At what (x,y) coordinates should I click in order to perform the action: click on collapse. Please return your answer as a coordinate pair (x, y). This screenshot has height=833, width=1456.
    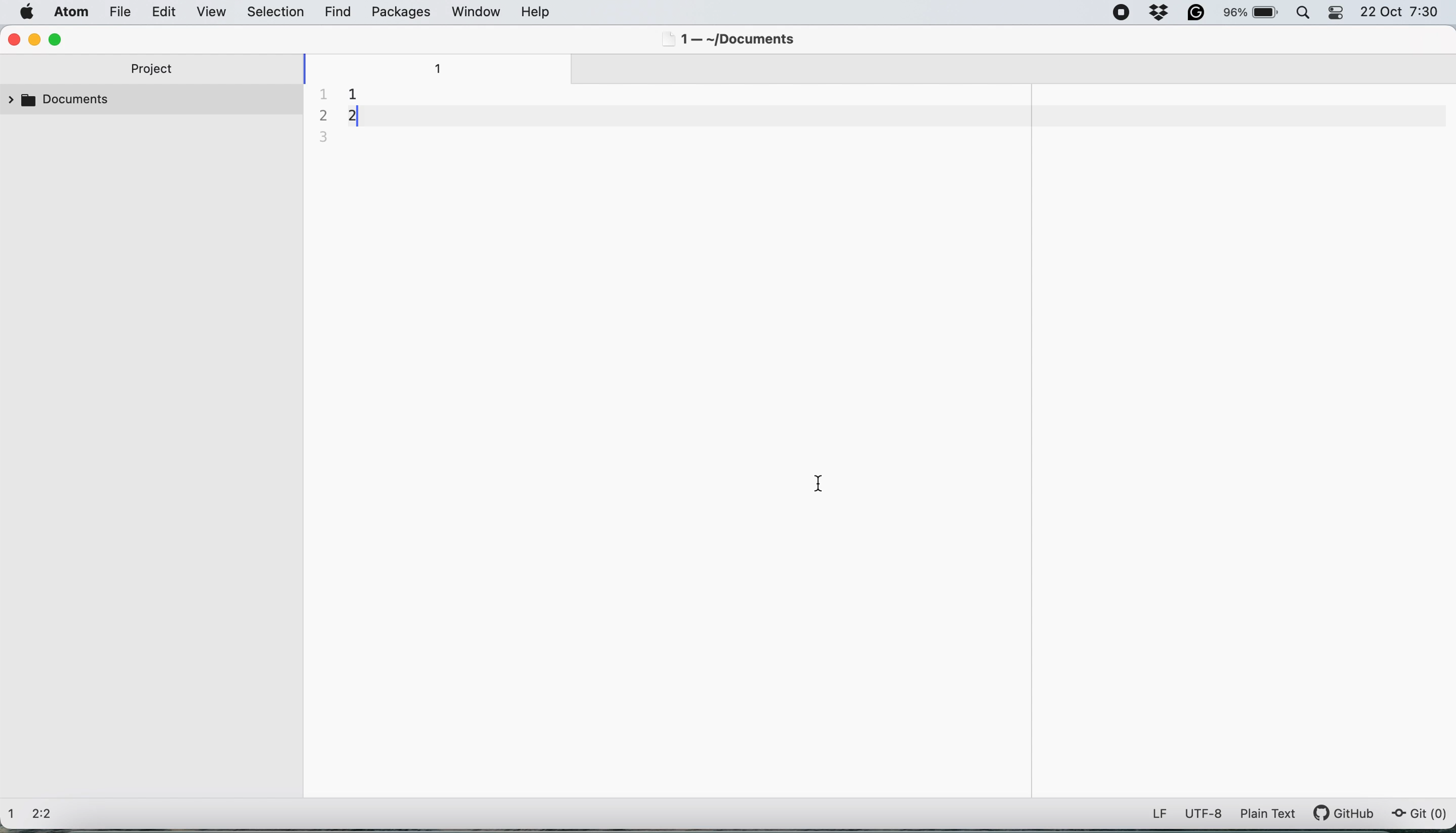
    Looking at the image, I should click on (315, 425).